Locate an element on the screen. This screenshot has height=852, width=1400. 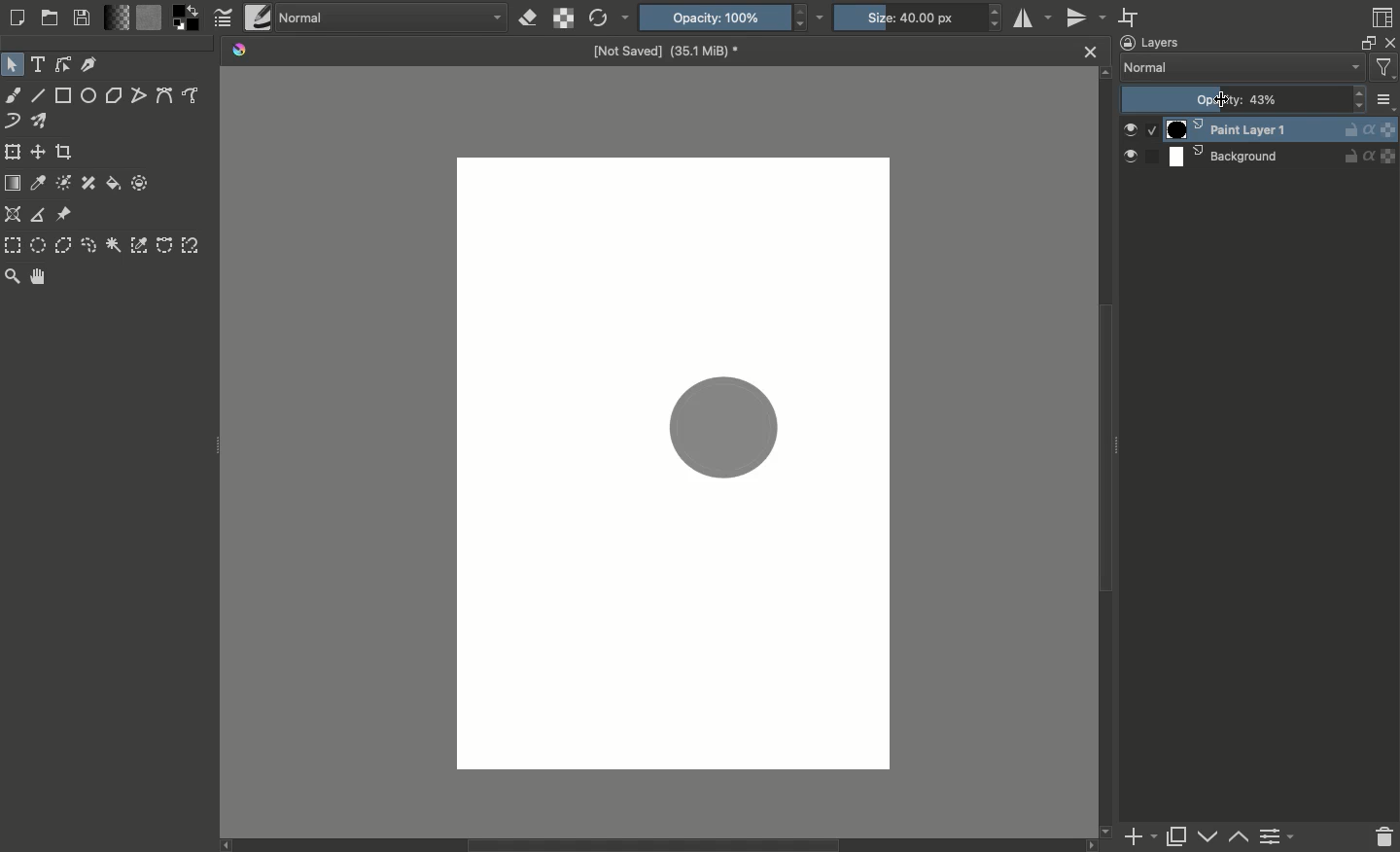
Freehand path  is located at coordinates (192, 95).